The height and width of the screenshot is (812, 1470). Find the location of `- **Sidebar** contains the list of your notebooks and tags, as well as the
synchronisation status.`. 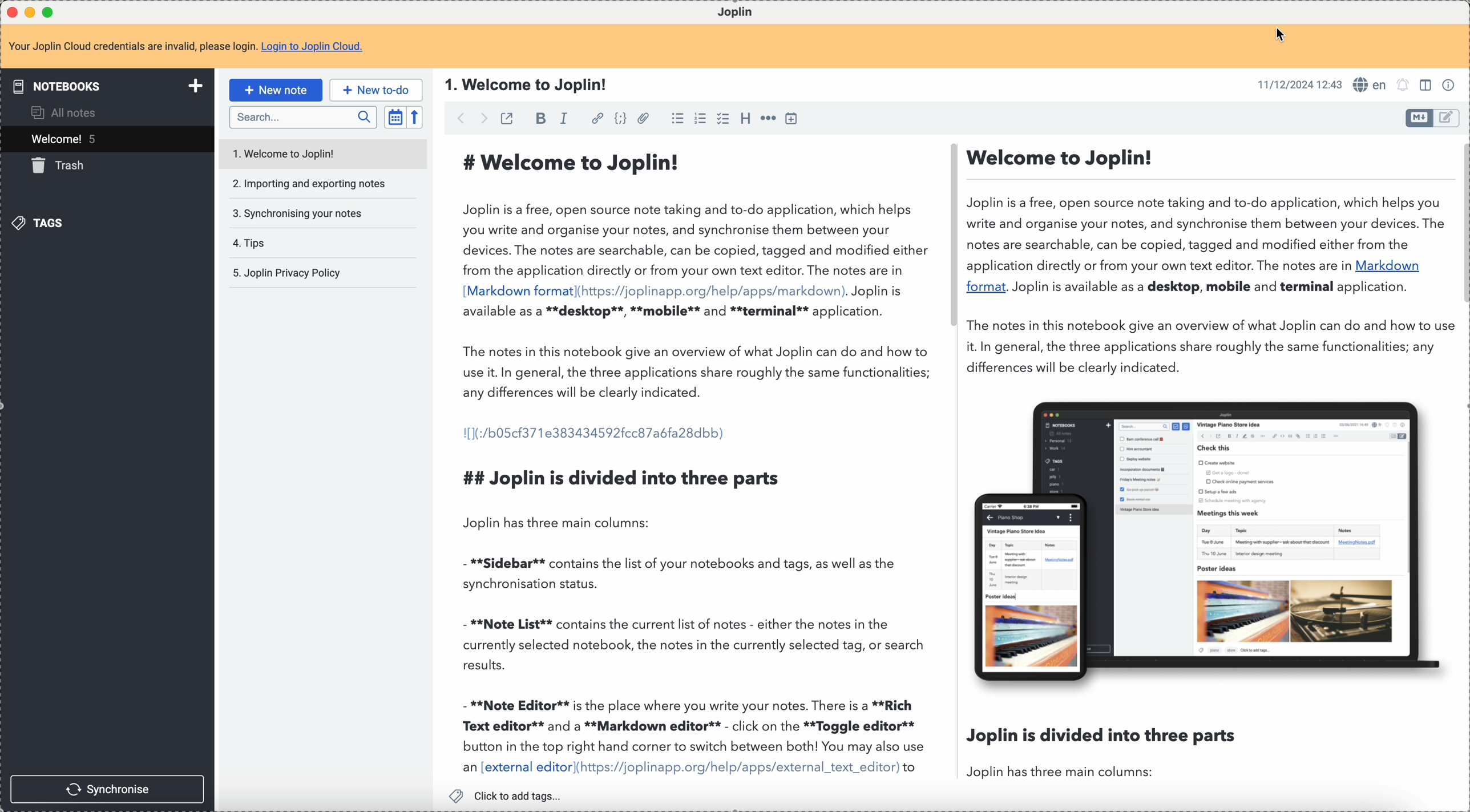

- **Sidebar** contains the list of your notebooks and tags, as well as the
synchronisation status. is located at coordinates (681, 573).